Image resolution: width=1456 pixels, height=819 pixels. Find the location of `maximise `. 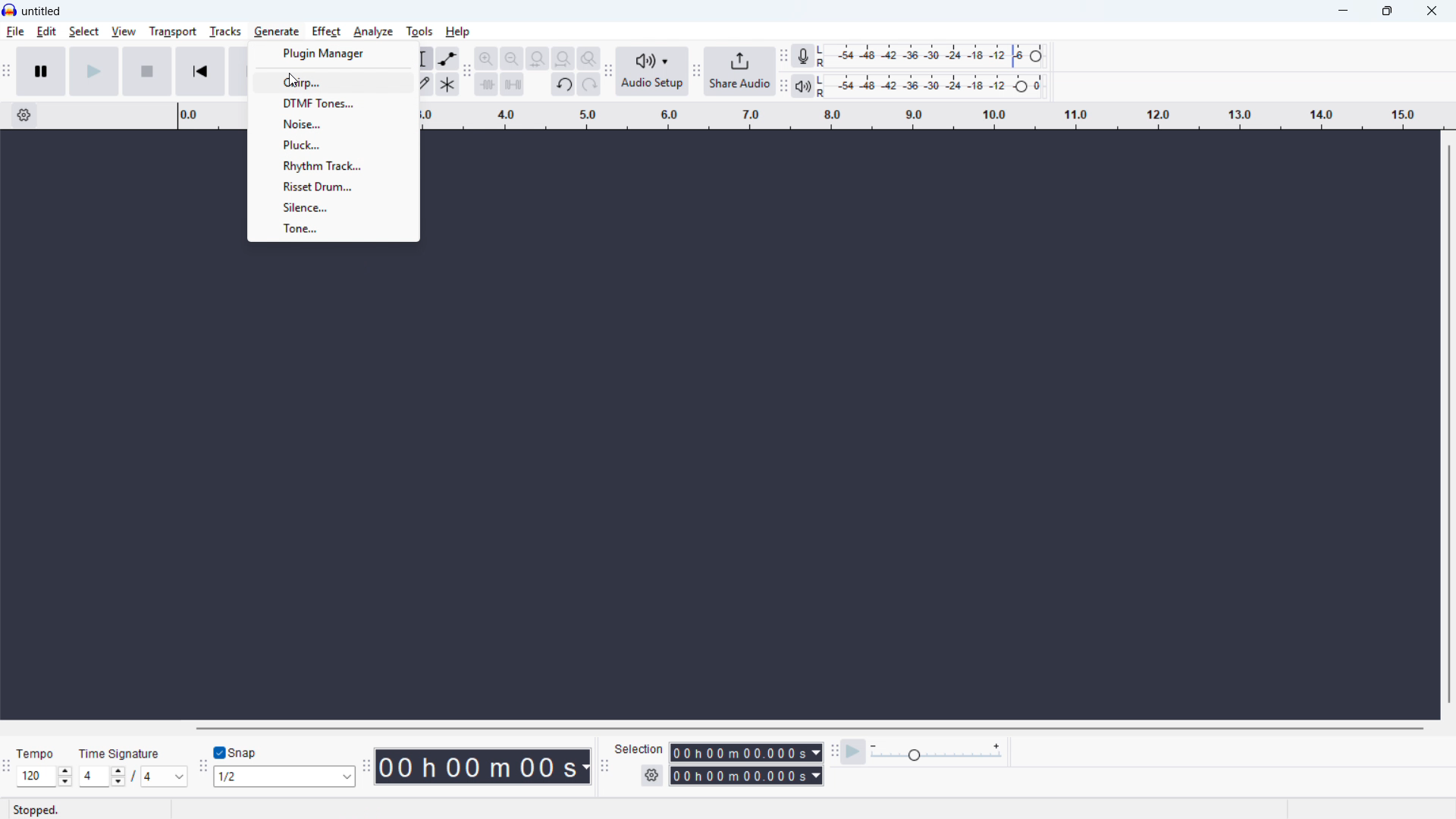

maximise  is located at coordinates (1389, 11).